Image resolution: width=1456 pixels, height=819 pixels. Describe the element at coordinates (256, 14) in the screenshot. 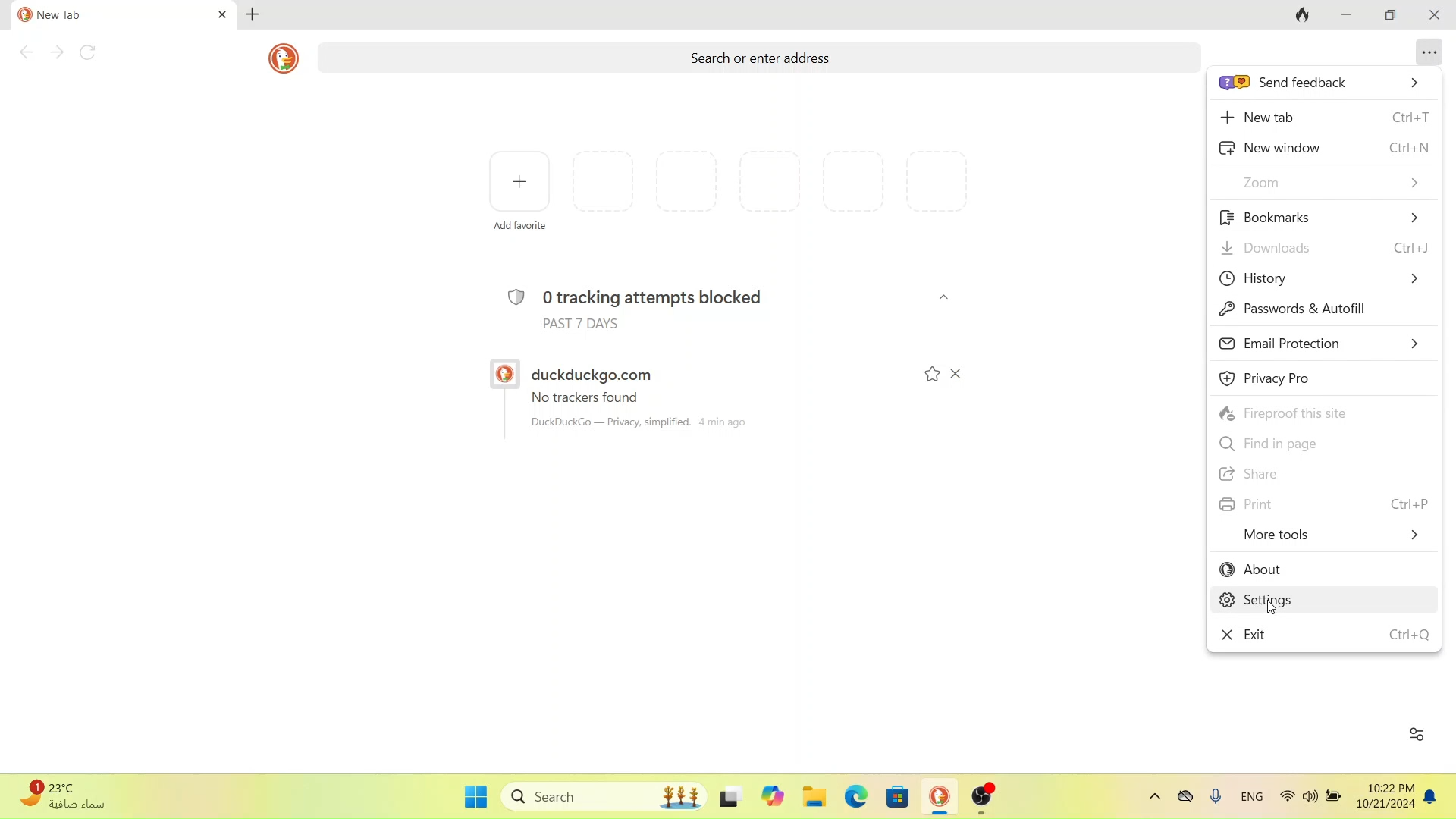

I see `new tab` at that location.